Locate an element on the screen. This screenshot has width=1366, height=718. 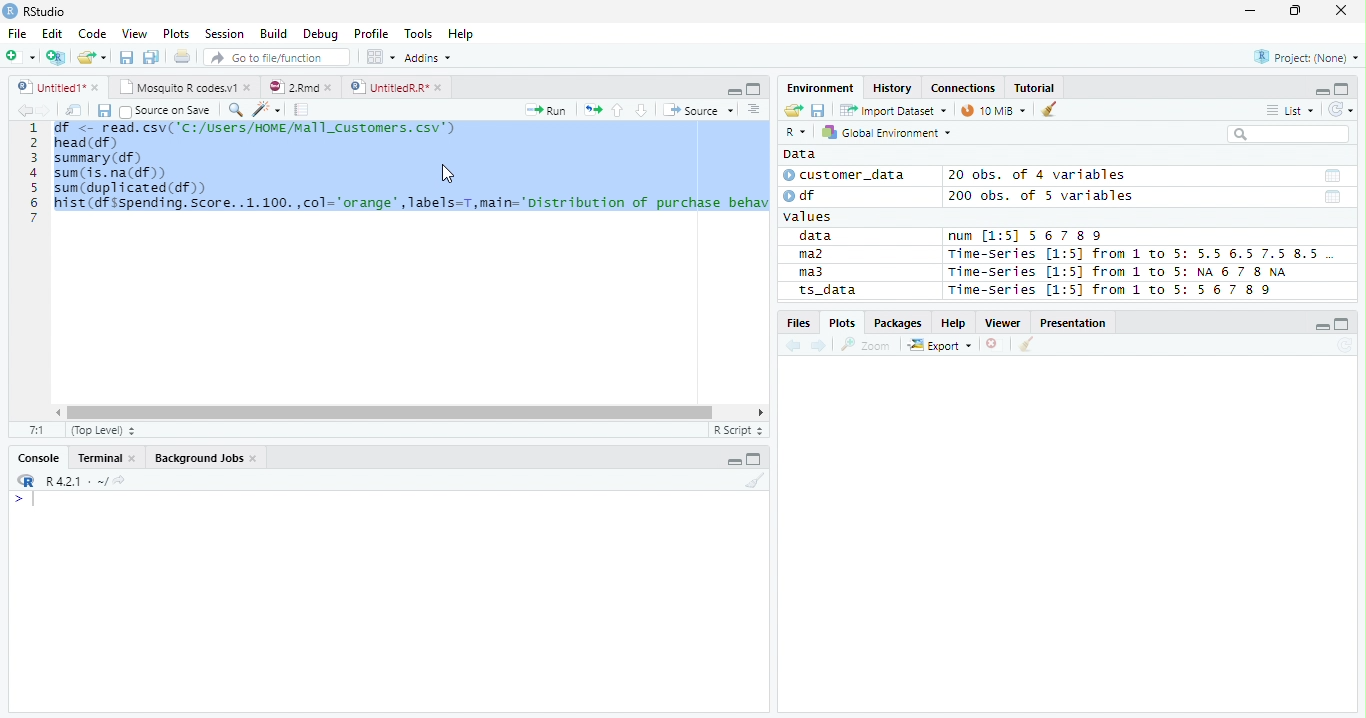
Down is located at coordinates (641, 111).